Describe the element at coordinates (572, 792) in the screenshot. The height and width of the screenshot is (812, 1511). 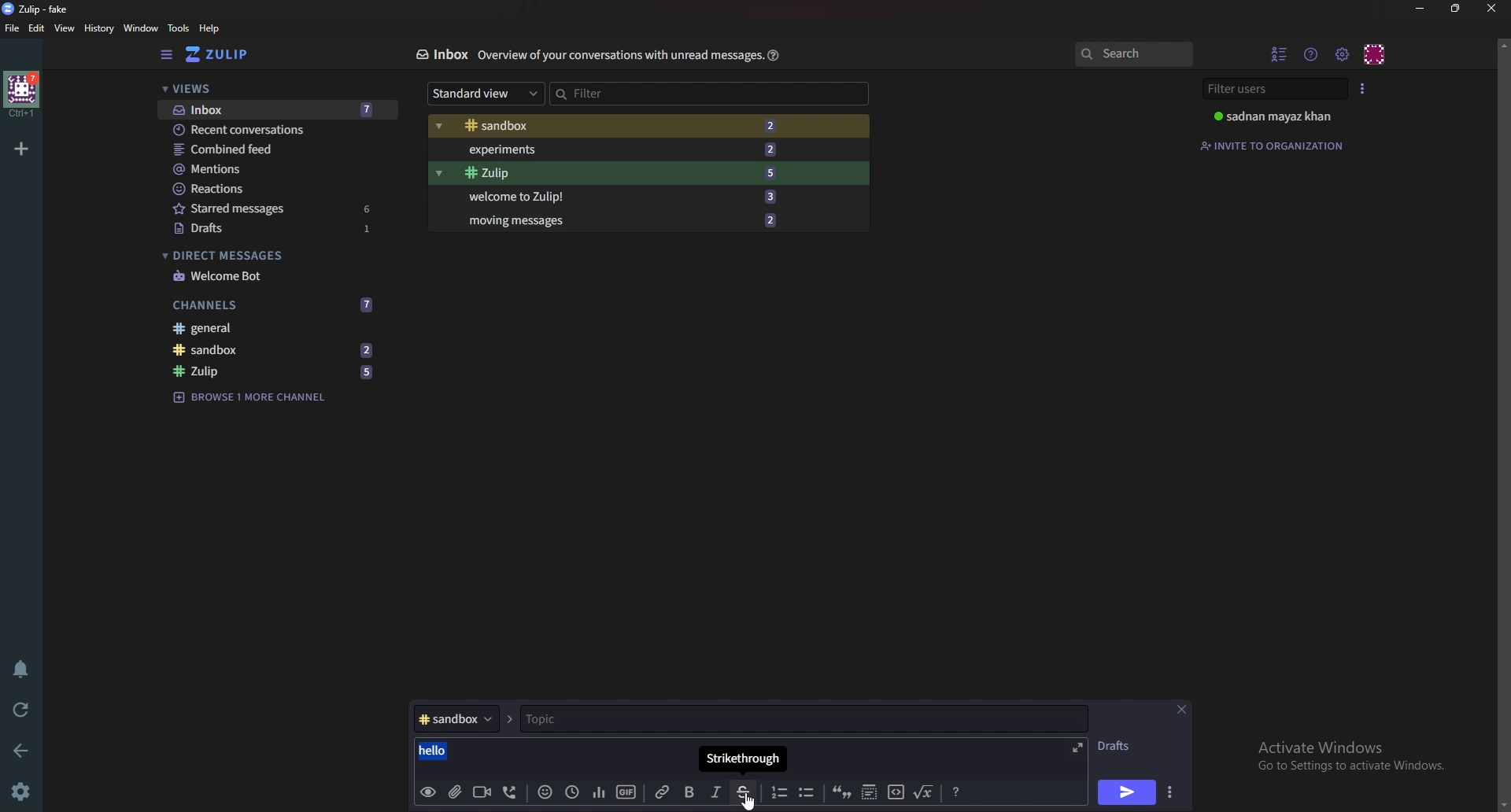
I see `Global time` at that location.